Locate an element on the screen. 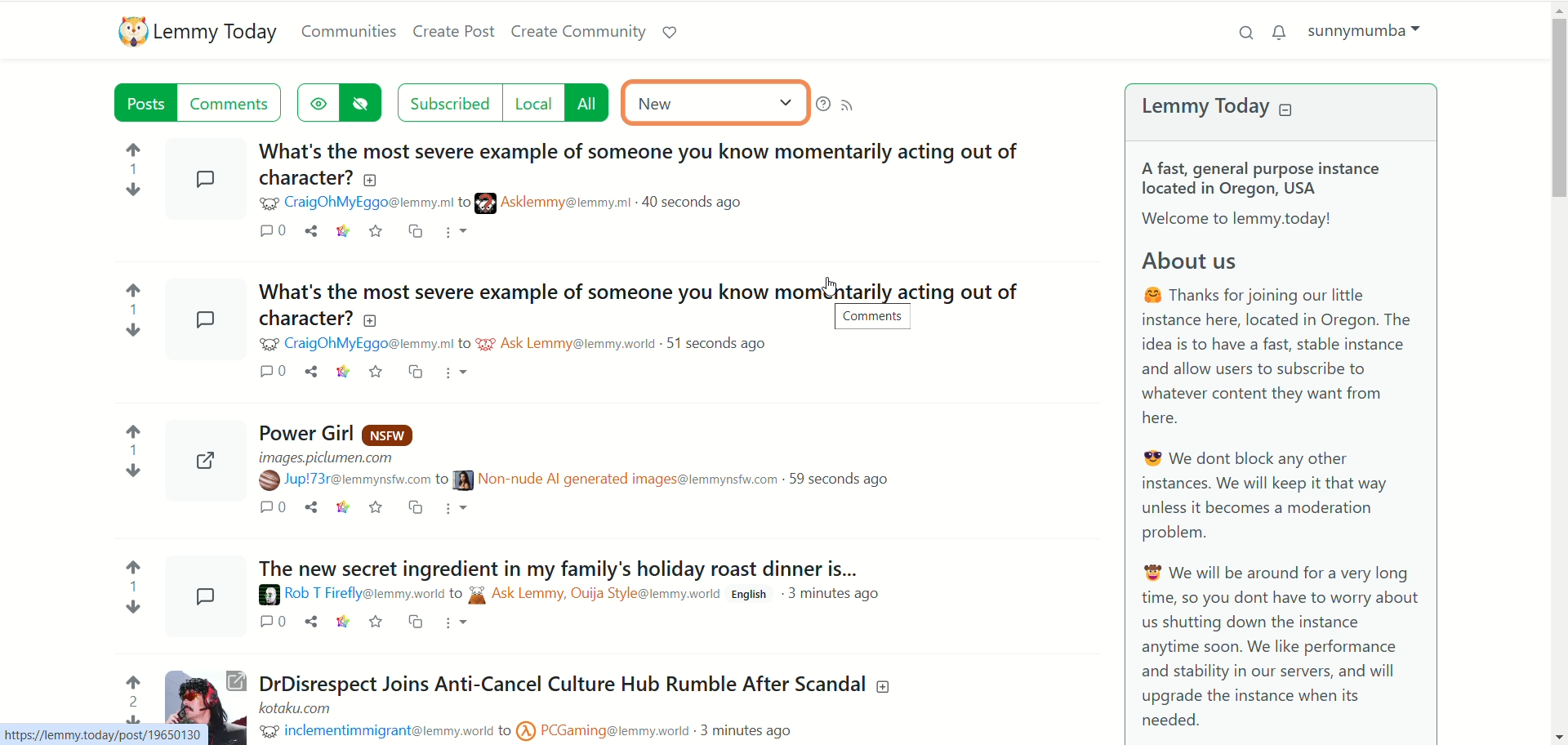 The height and width of the screenshot is (745, 1568). What's the most severe example of someone you know momentarily acting out of character? is located at coordinates (639, 161).